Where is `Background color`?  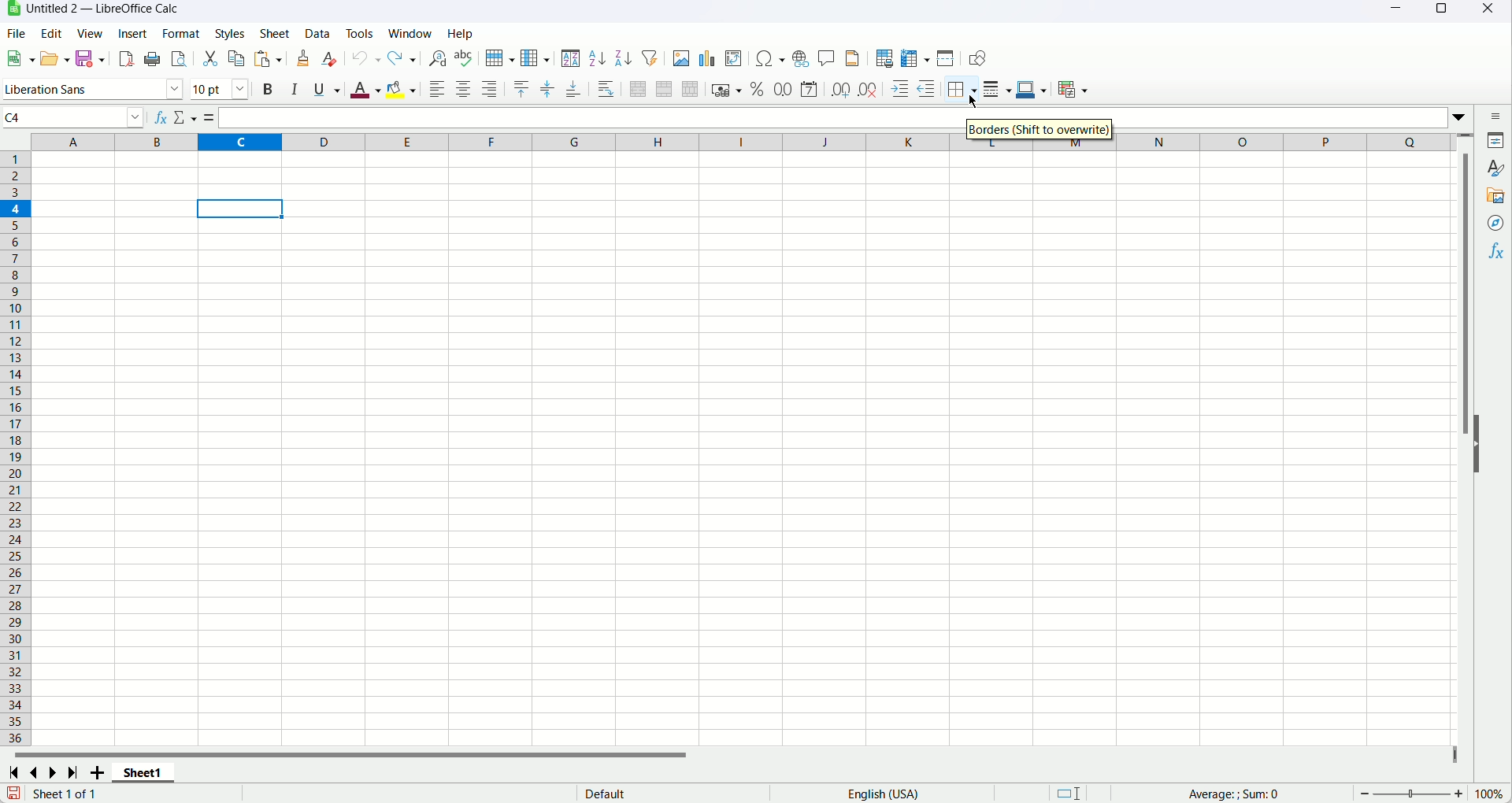
Background color is located at coordinates (402, 91).